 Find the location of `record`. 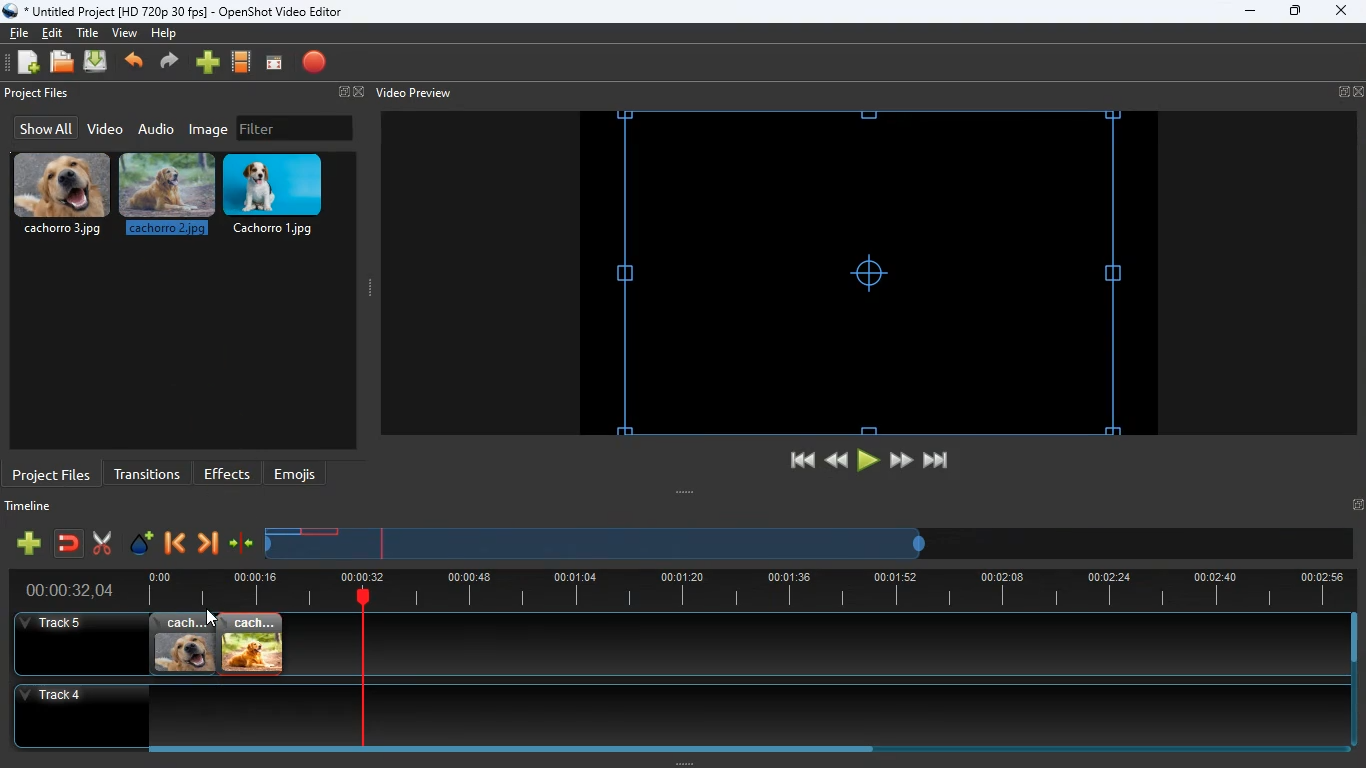

record is located at coordinates (316, 64).